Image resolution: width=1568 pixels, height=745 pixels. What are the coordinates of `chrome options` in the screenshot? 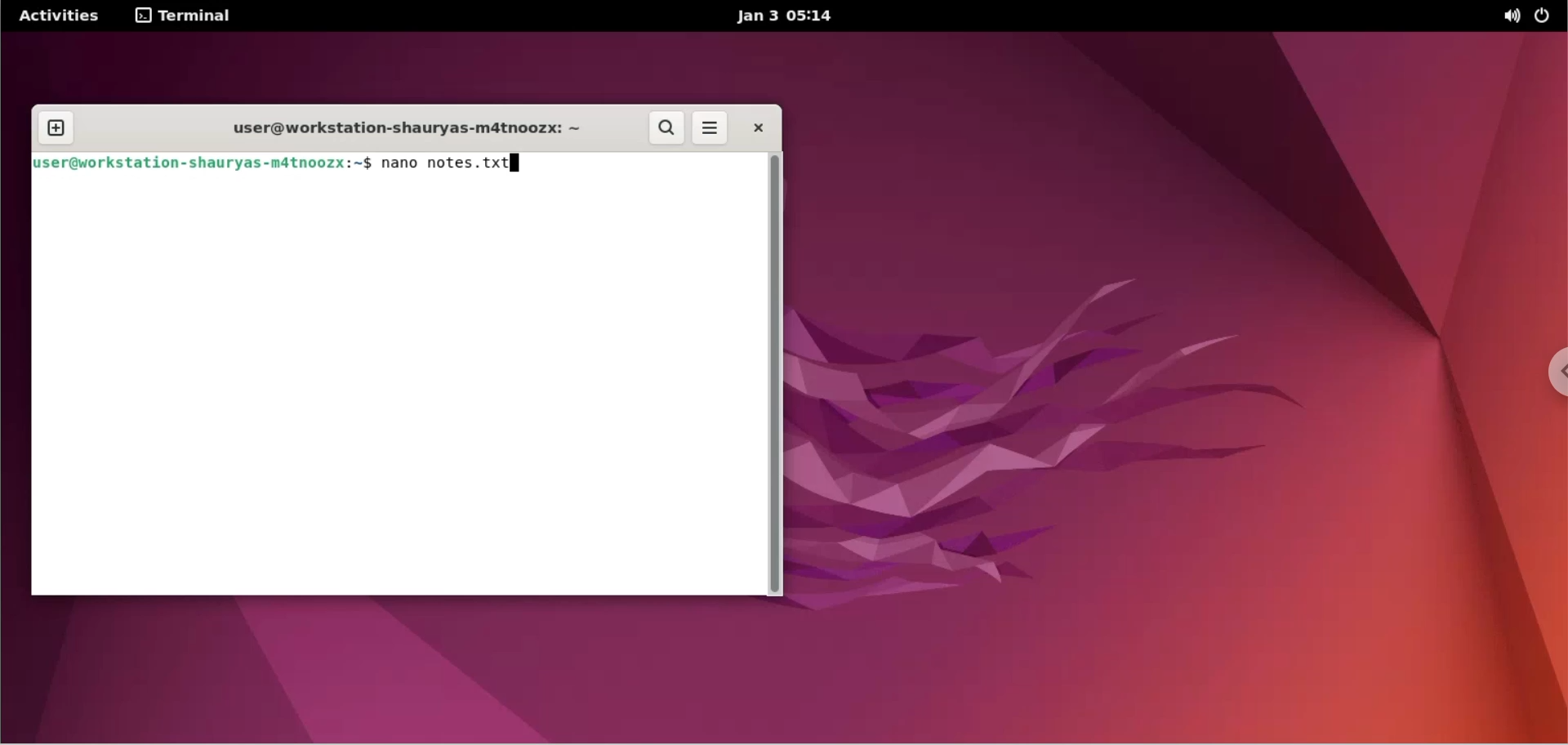 It's located at (1544, 372).